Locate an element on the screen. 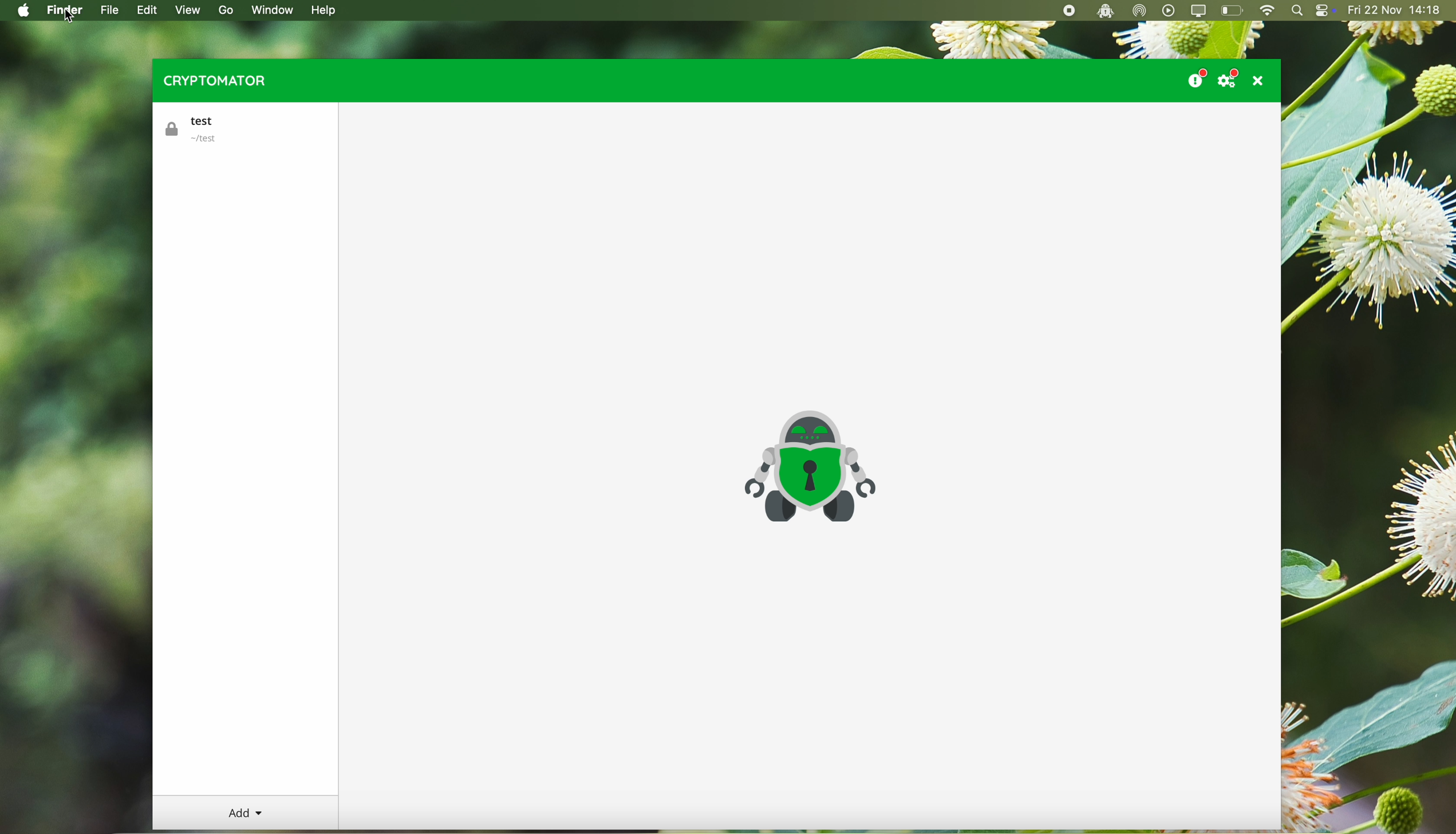 The width and height of the screenshot is (1456, 834). add is located at coordinates (246, 813).